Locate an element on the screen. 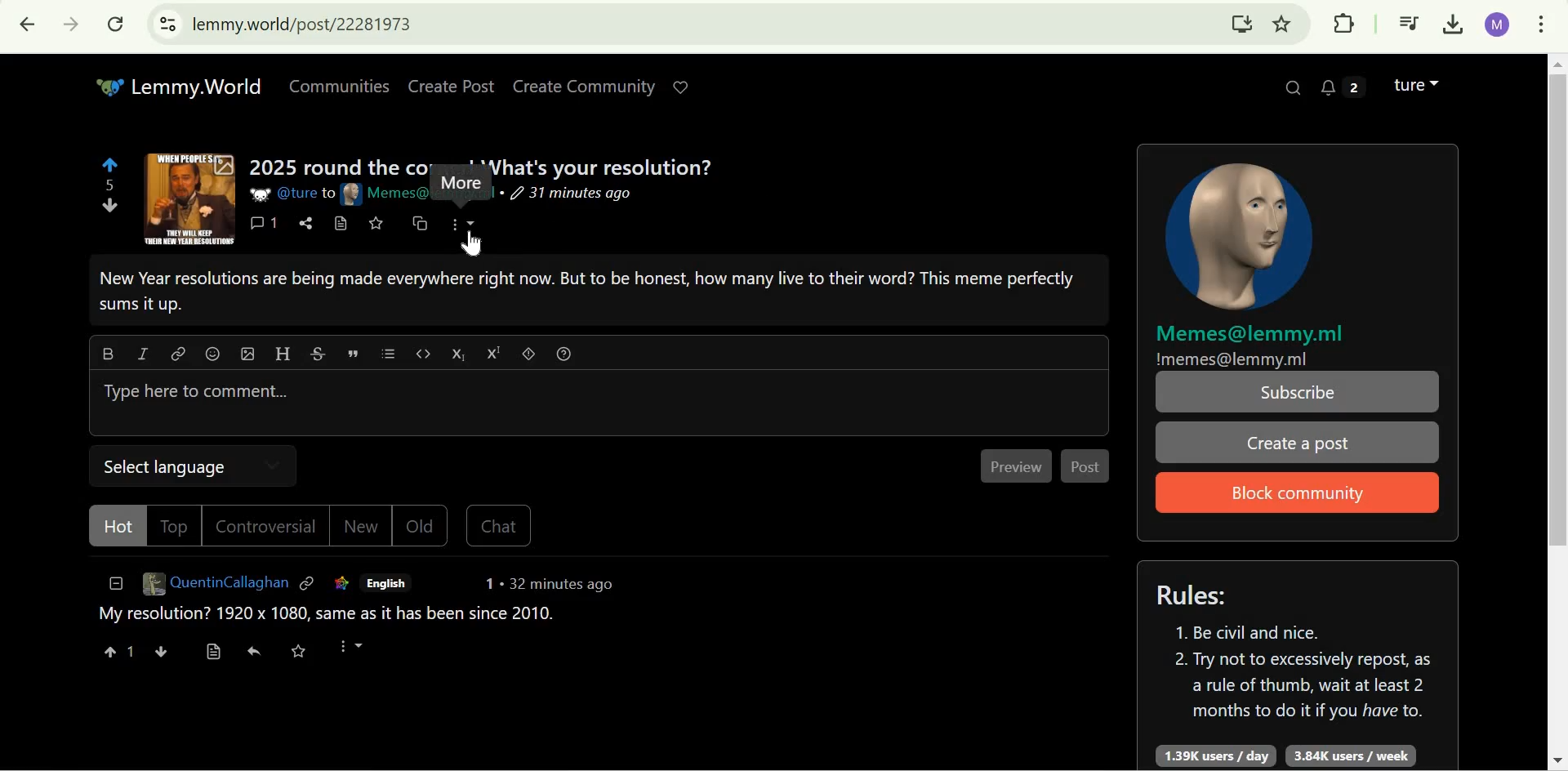  collapse is located at coordinates (117, 582).